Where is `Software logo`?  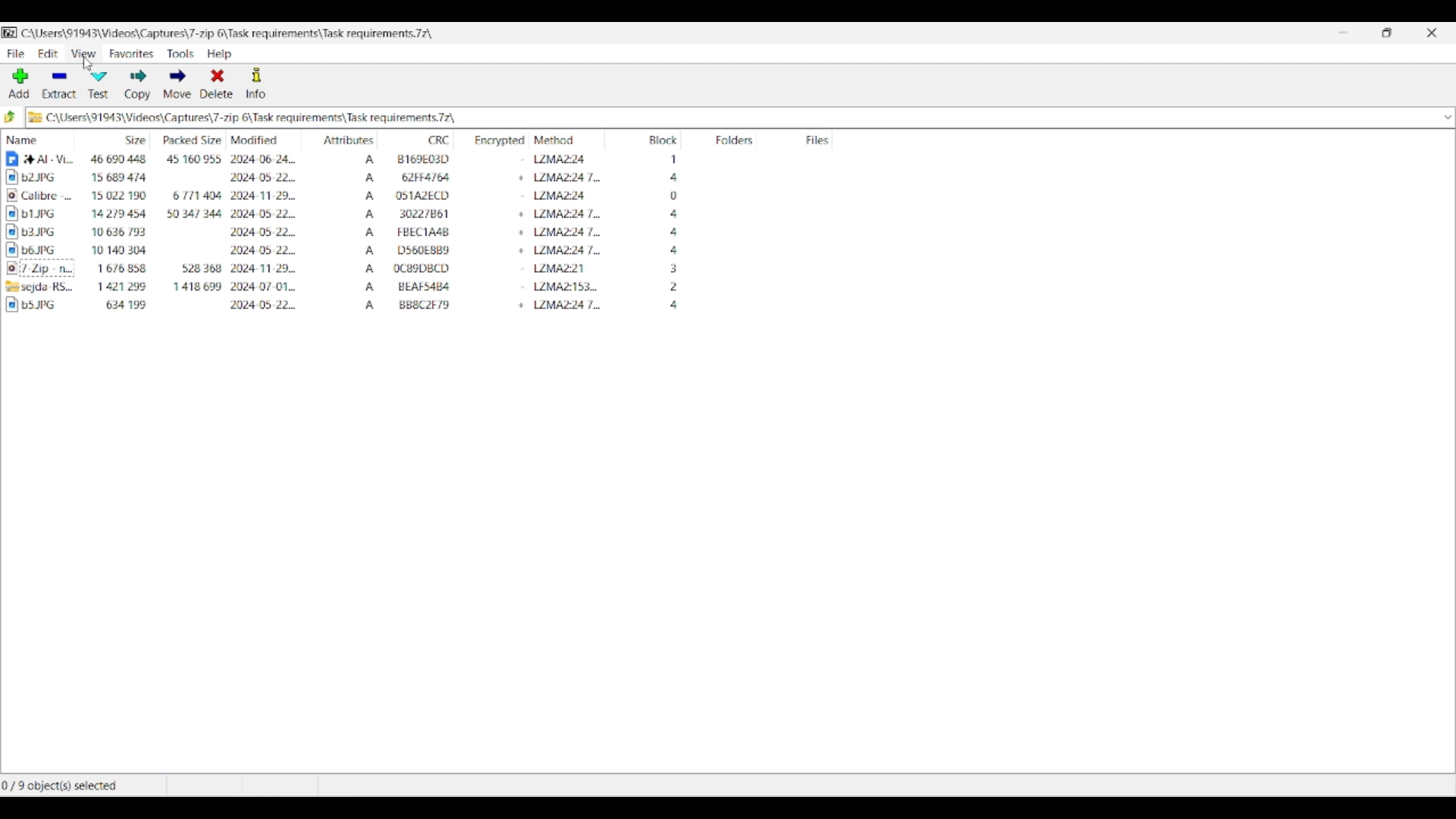 Software logo is located at coordinates (11, 33).